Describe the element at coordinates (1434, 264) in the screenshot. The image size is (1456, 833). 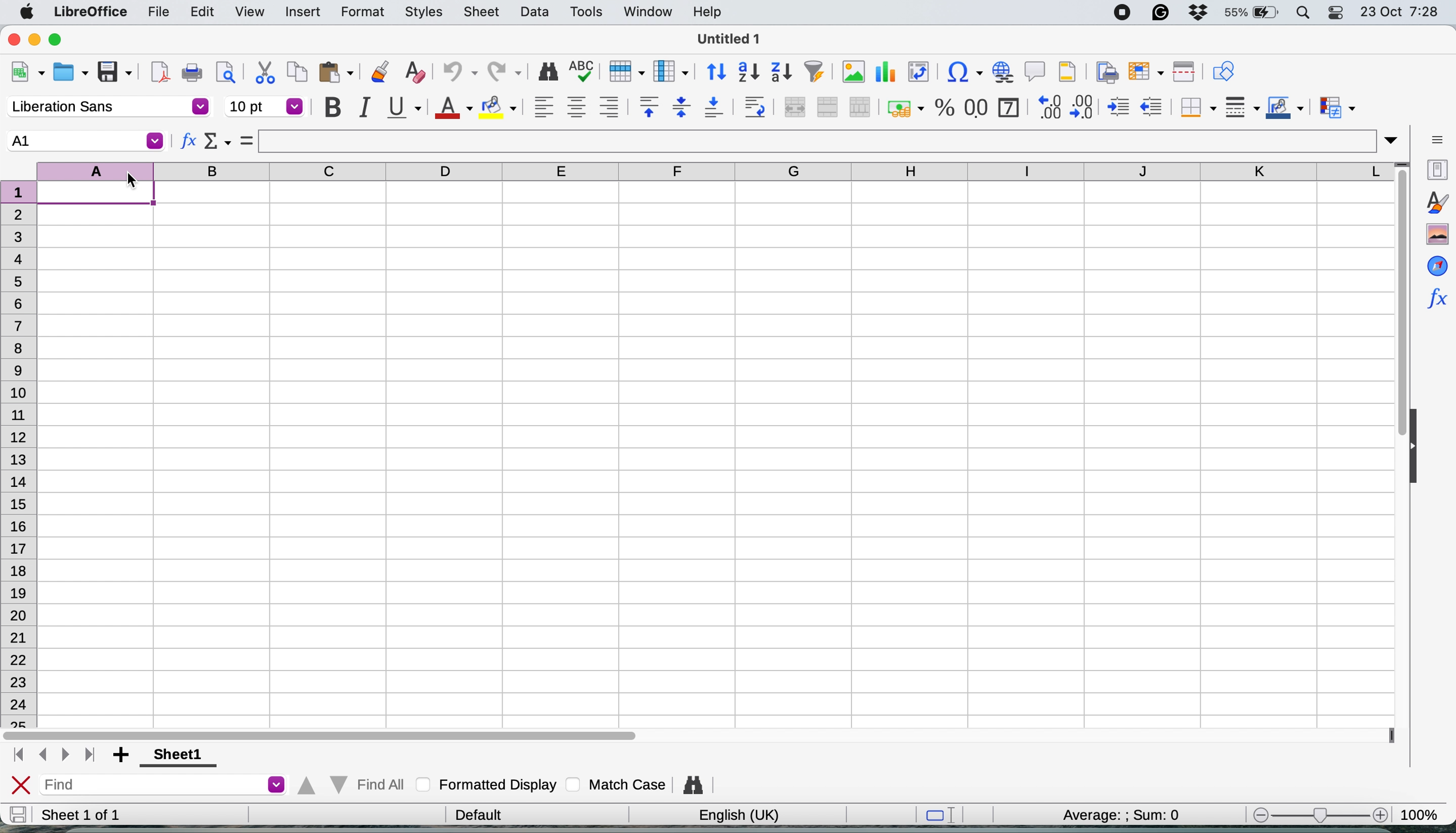
I see `navigator` at that location.